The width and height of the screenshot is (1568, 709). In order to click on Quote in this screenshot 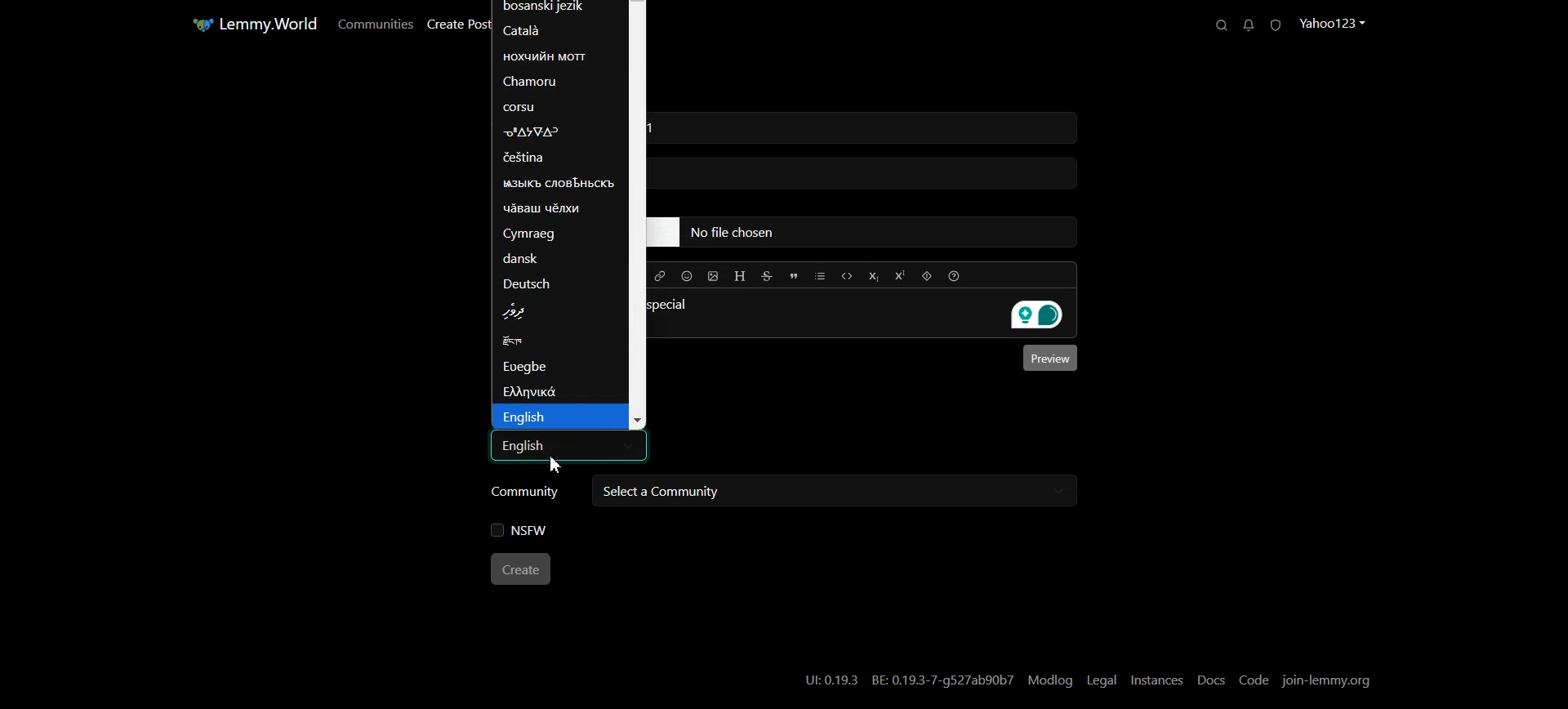, I will do `click(794, 277)`.